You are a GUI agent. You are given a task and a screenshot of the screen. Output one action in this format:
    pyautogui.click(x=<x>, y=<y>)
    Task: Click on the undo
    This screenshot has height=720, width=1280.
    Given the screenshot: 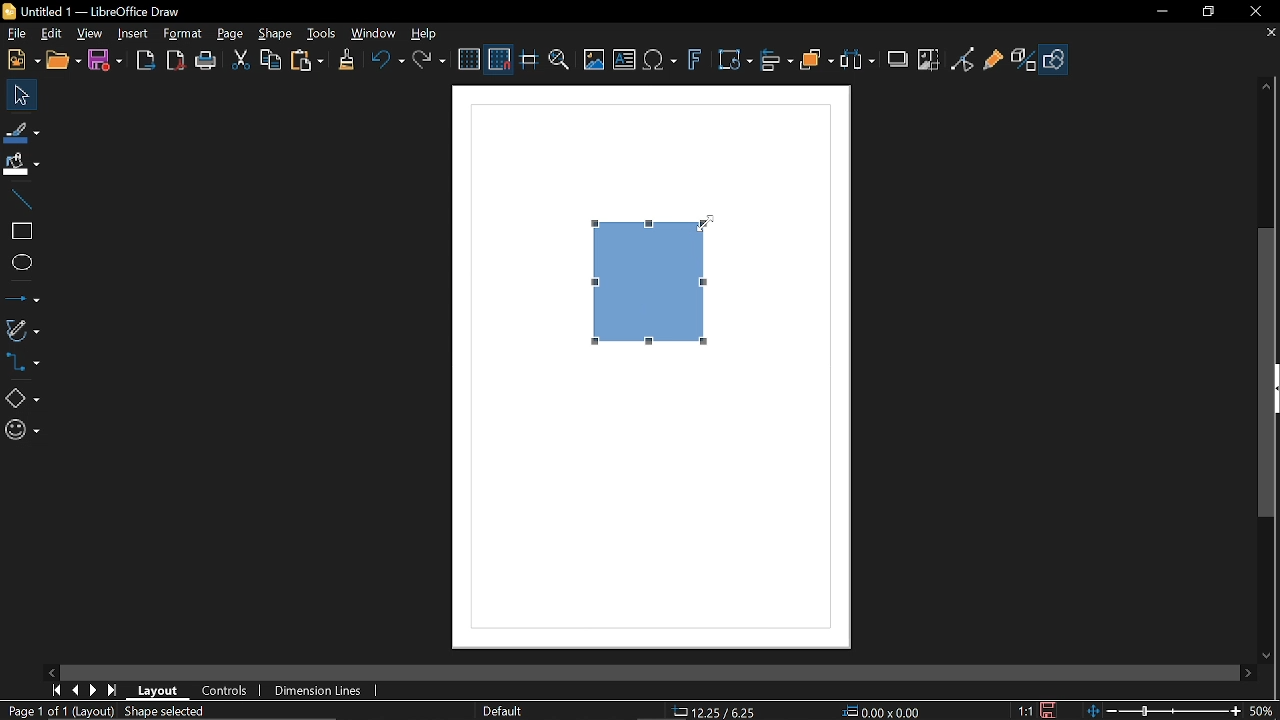 What is the action you would take?
    pyautogui.click(x=388, y=60)
    